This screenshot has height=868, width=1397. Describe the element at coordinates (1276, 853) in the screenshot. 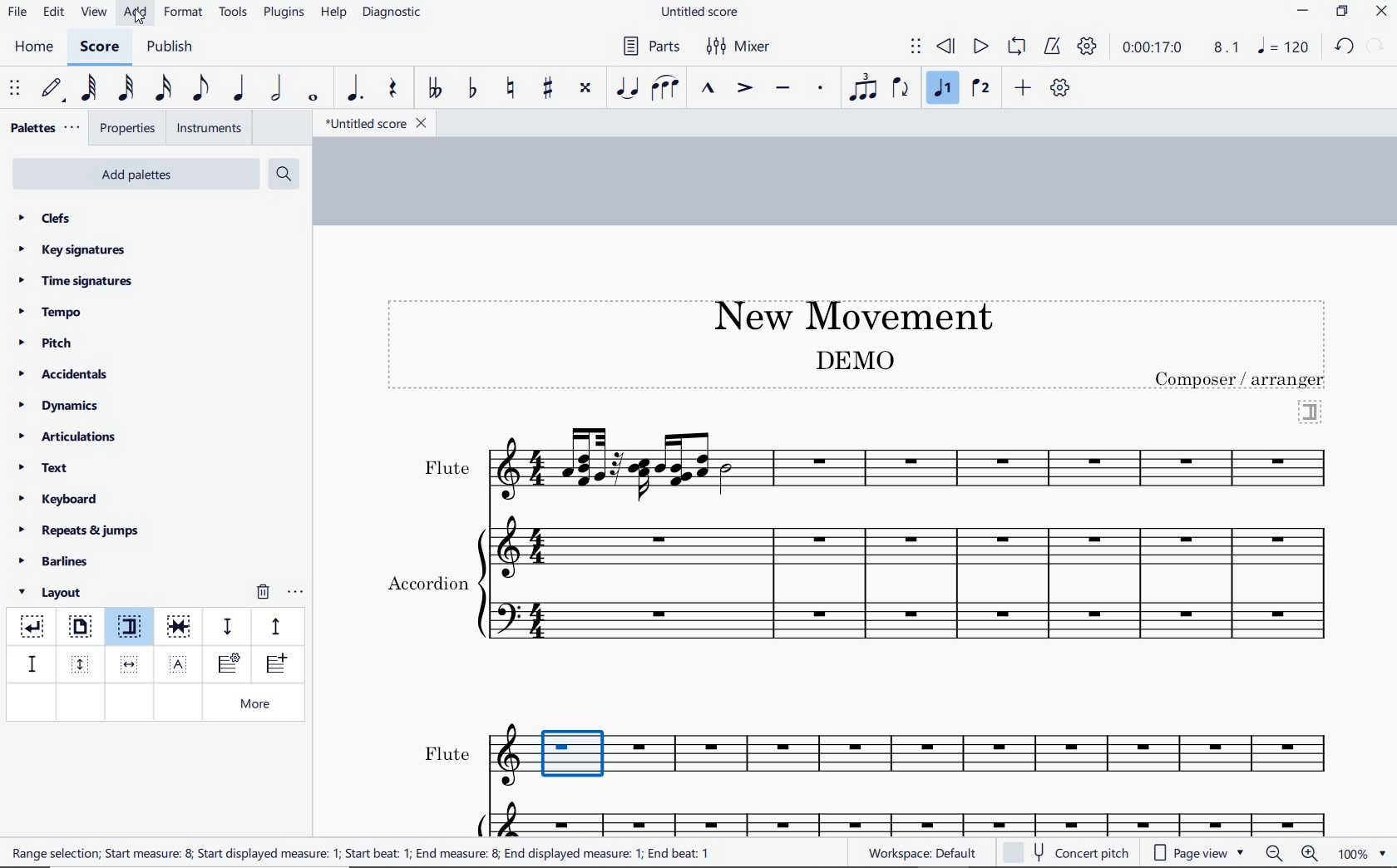

I see `zoom out` at that location.